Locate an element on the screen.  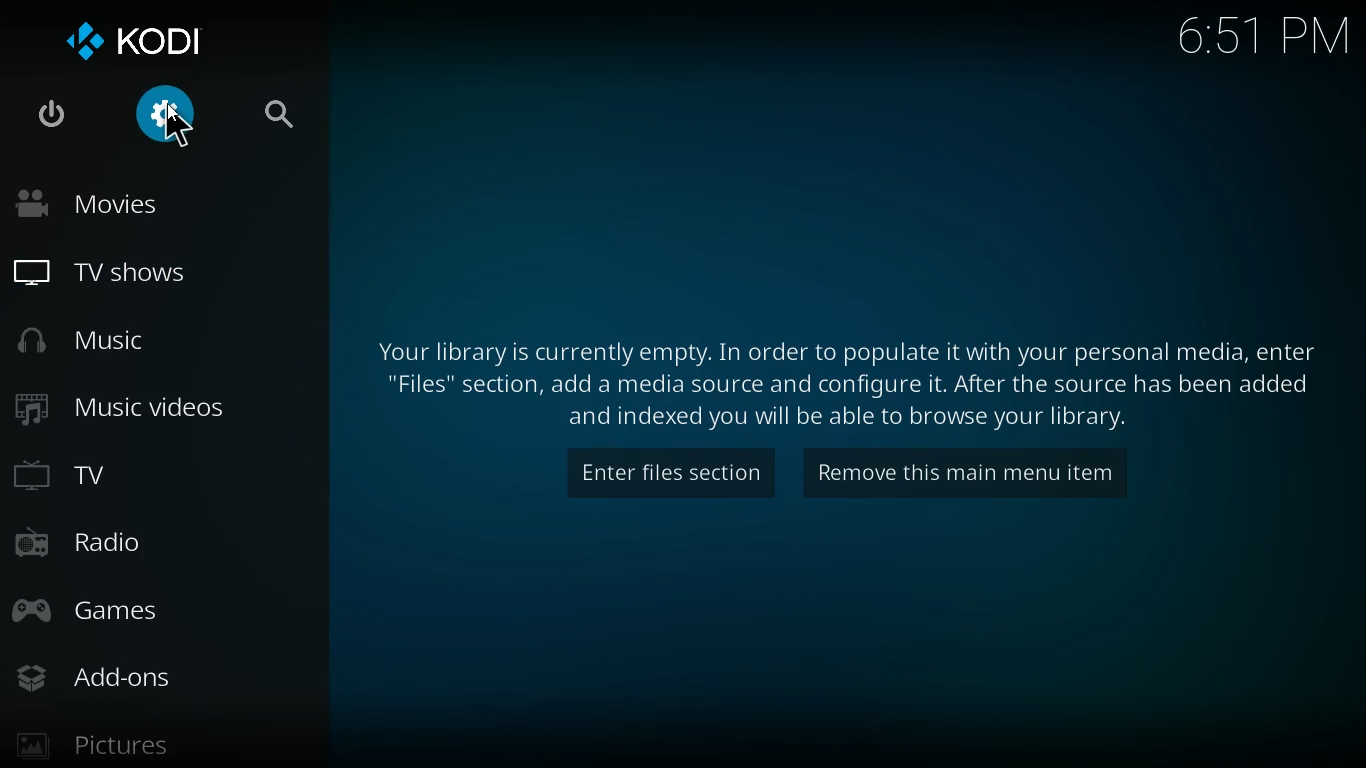
enter files section is located at coordinates (663, 476).